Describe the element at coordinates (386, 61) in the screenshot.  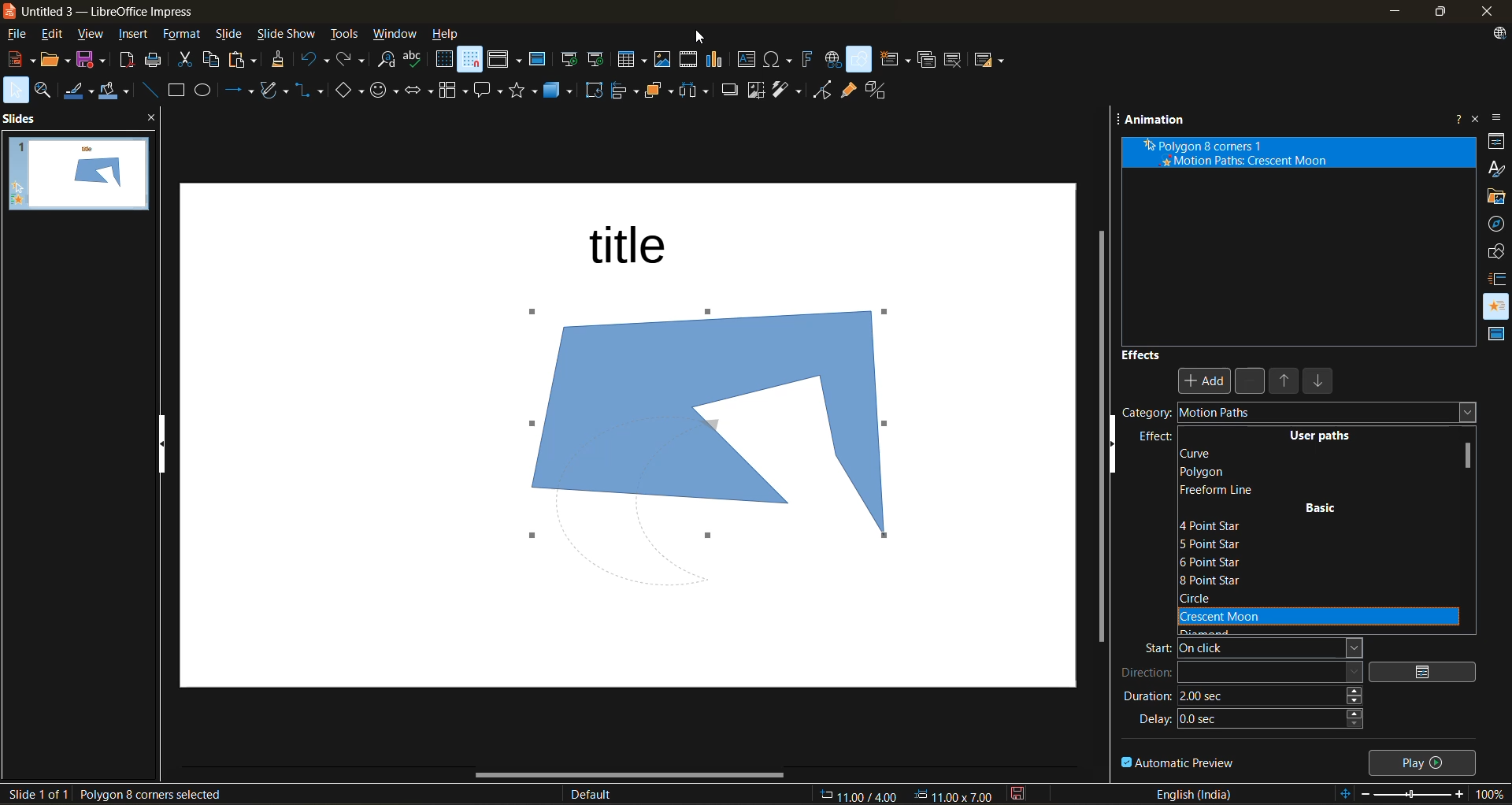
I see `find and replace` at that location.